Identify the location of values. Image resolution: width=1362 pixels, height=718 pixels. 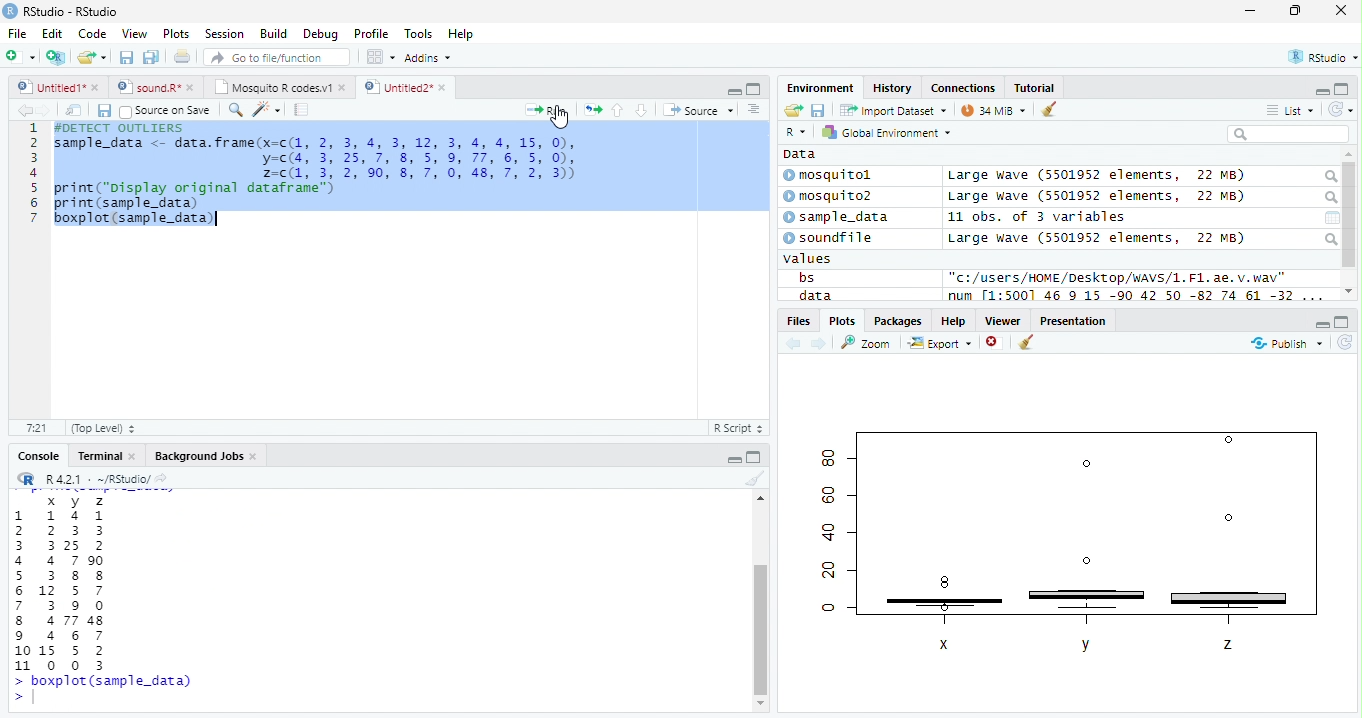
(808, 259).